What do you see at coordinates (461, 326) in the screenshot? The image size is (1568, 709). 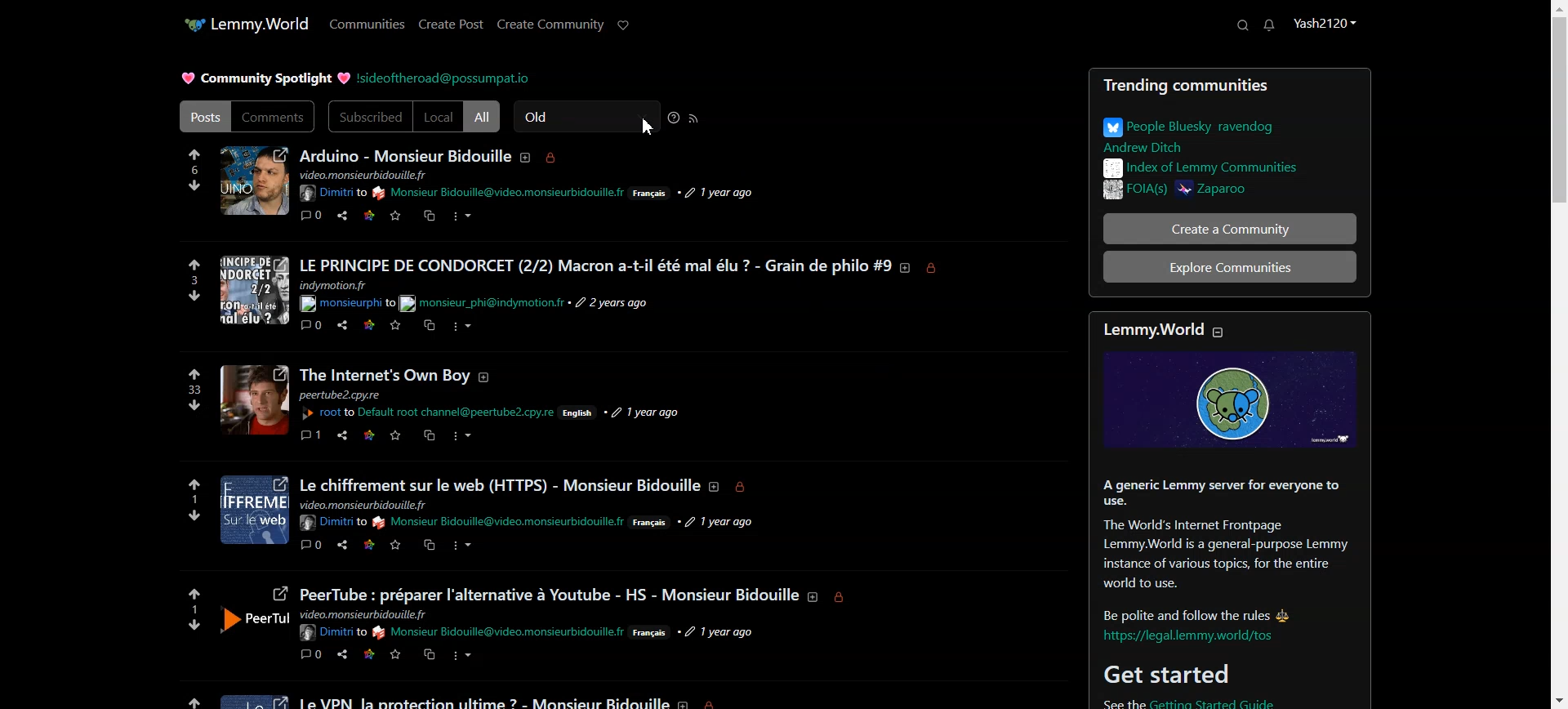 I see `more` at bounding box center [461, 326].